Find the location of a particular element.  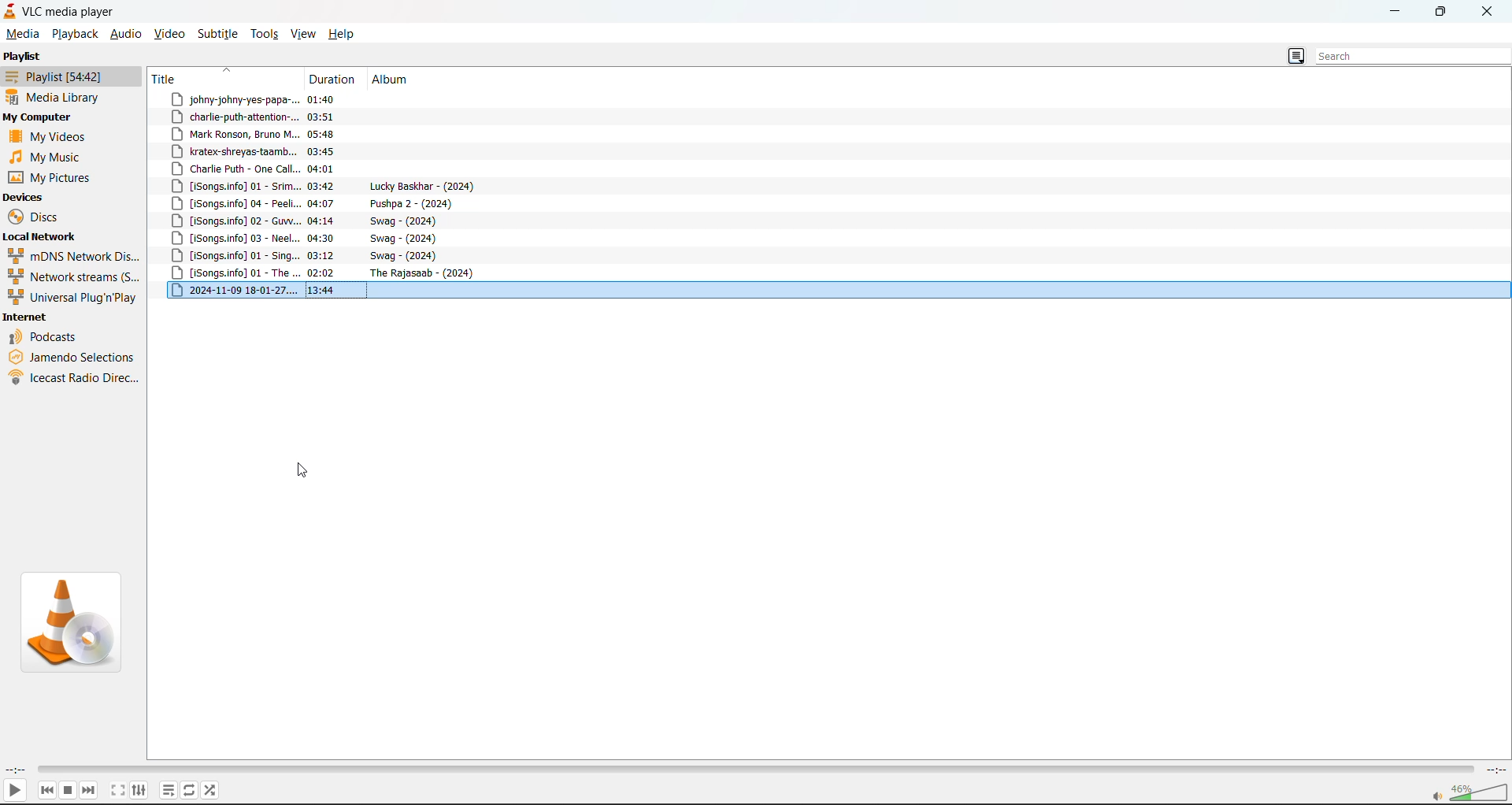

playlist is located at coordinates (164, 790).